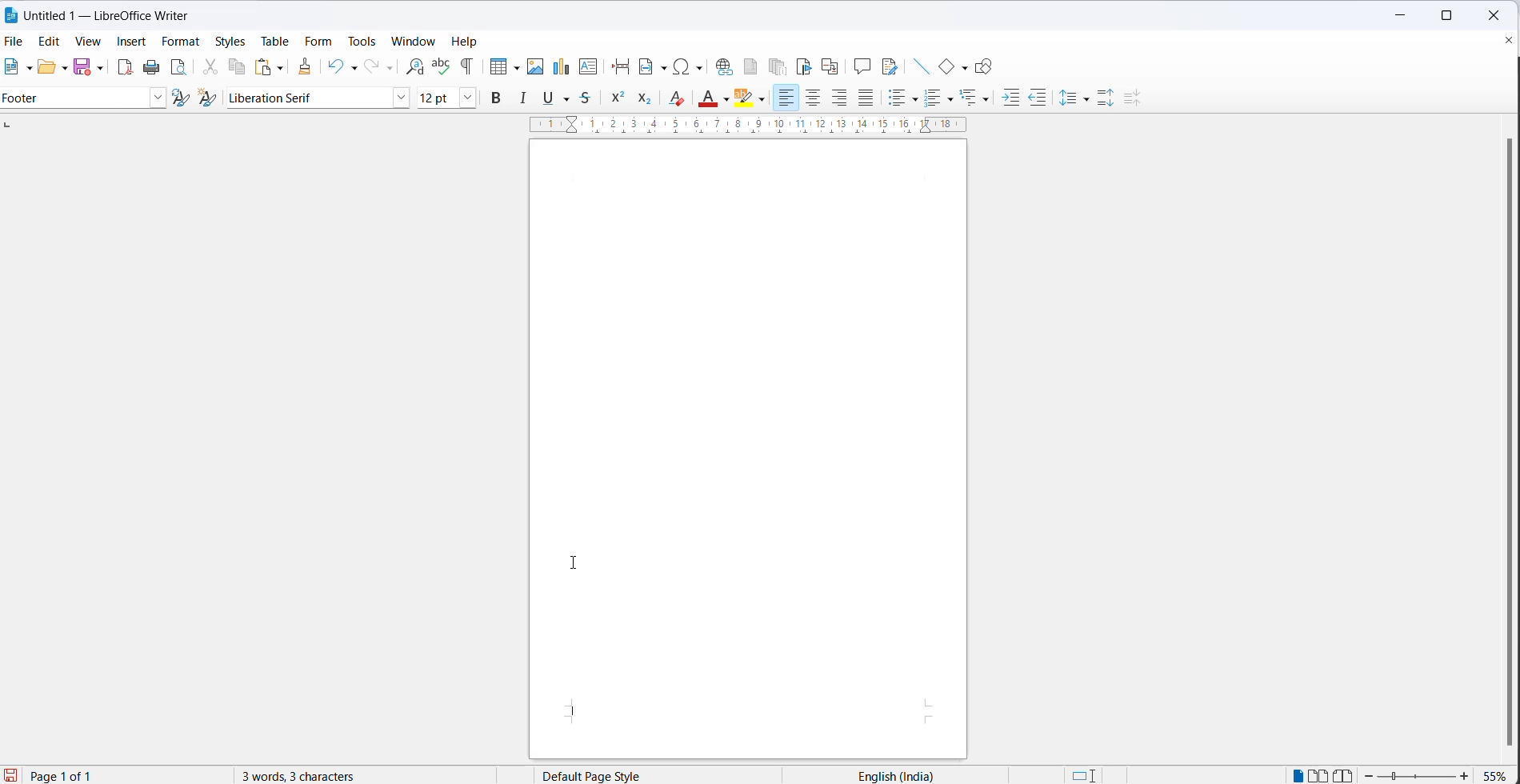  What do you see at coordinates (1501, 40) in the screenshot?
I see `close` at bounding box center [1501, 40].